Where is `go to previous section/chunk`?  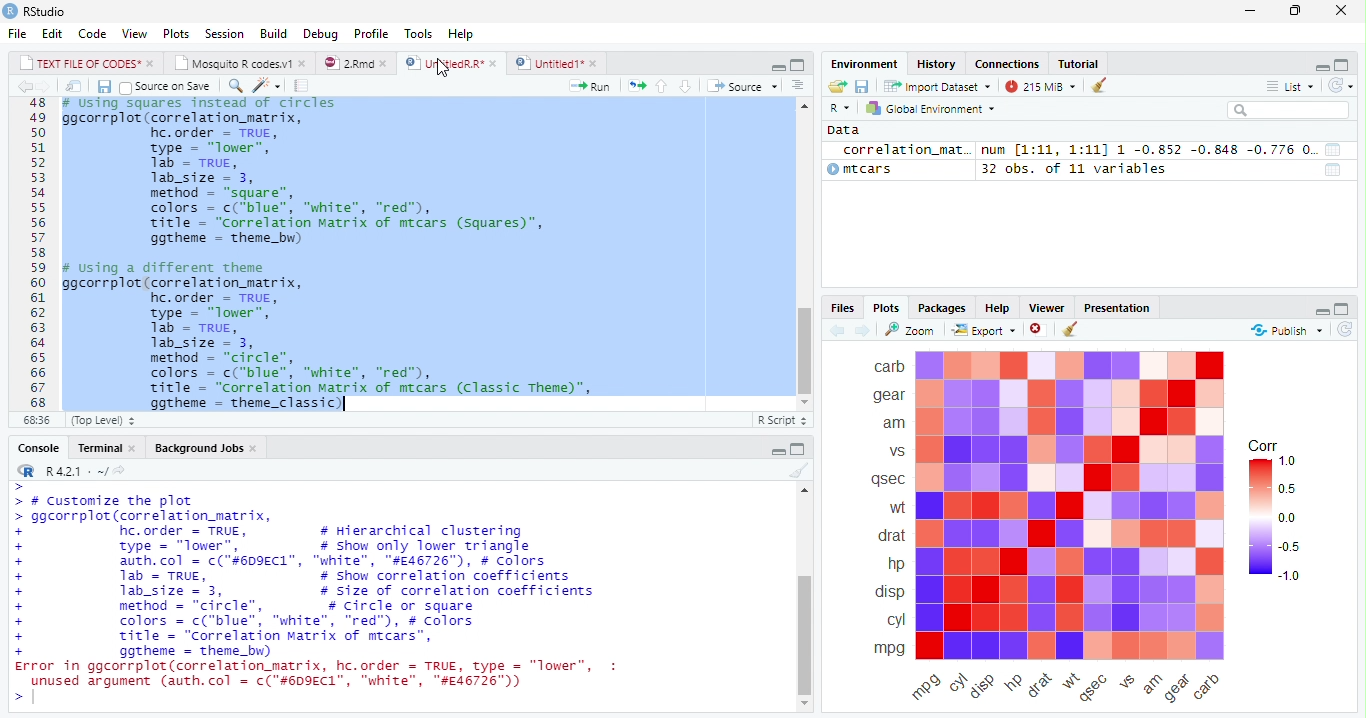 go to previous section/chunk is located at coordinates (661, 86).